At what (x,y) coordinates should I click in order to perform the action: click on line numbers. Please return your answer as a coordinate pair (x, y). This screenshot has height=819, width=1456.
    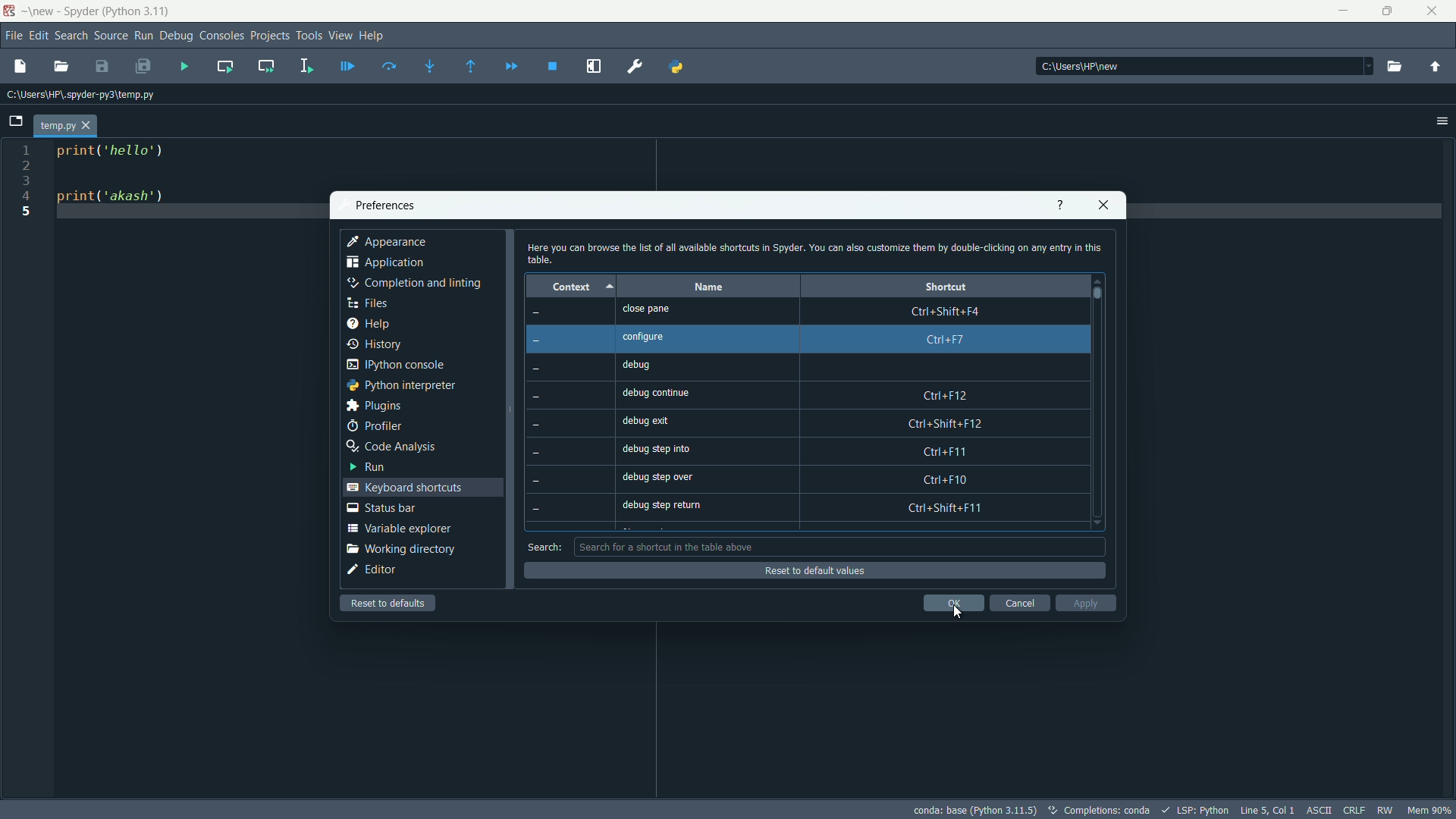
    Looking at the image, I should click on (27, 182).